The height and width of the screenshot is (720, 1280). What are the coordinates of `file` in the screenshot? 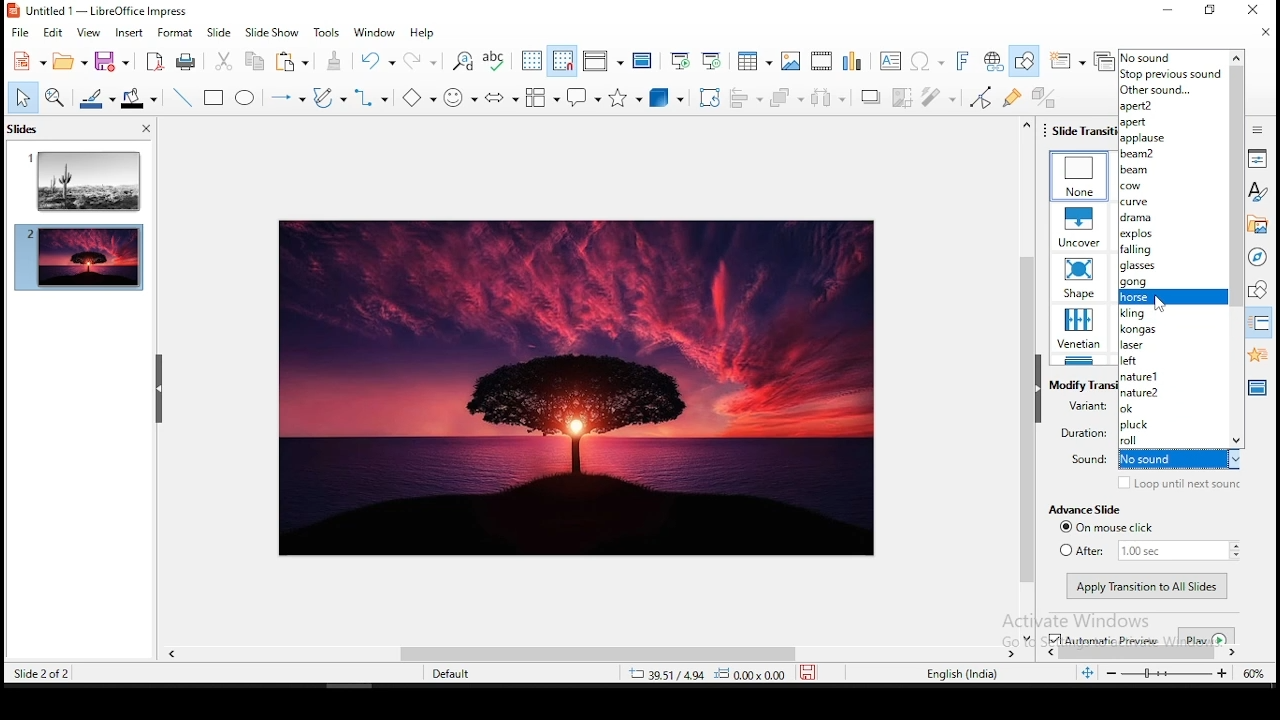 It's located at (20, 33).